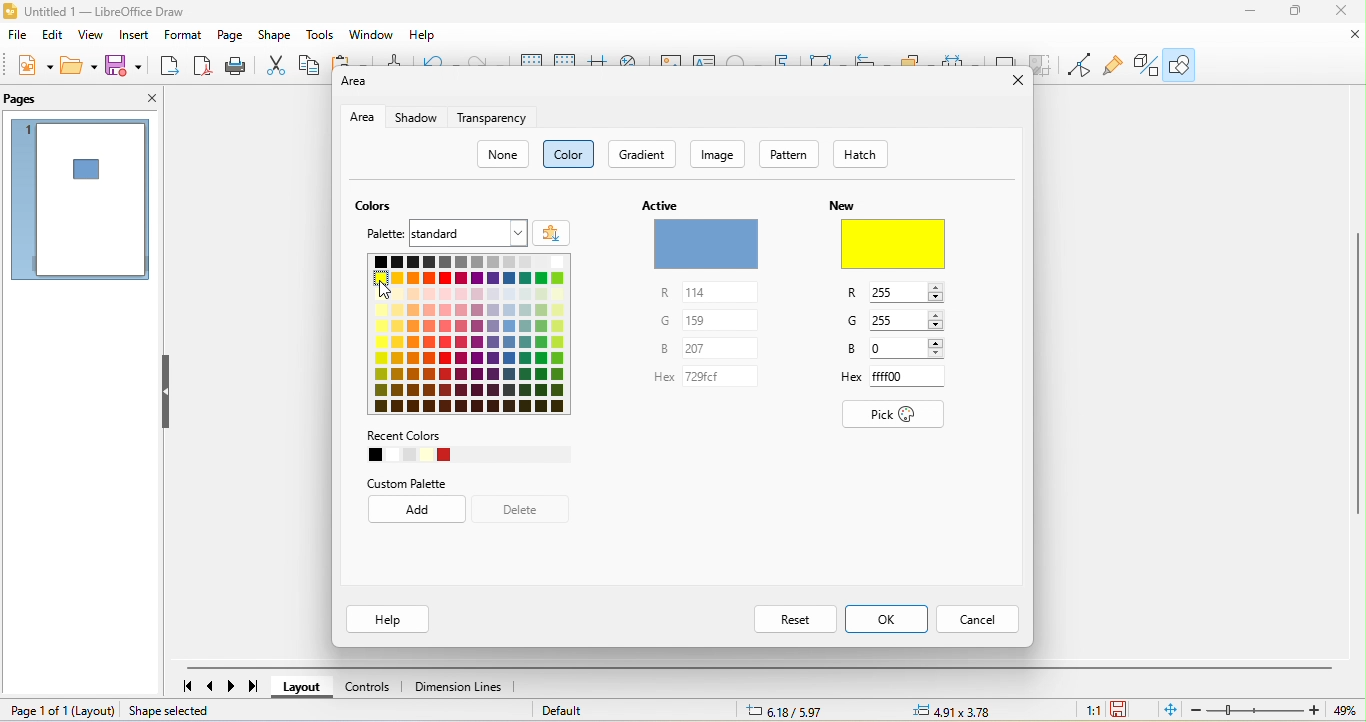  Describe the element at coordinates (137, 101) in the screenshot. I see `close` at that location.